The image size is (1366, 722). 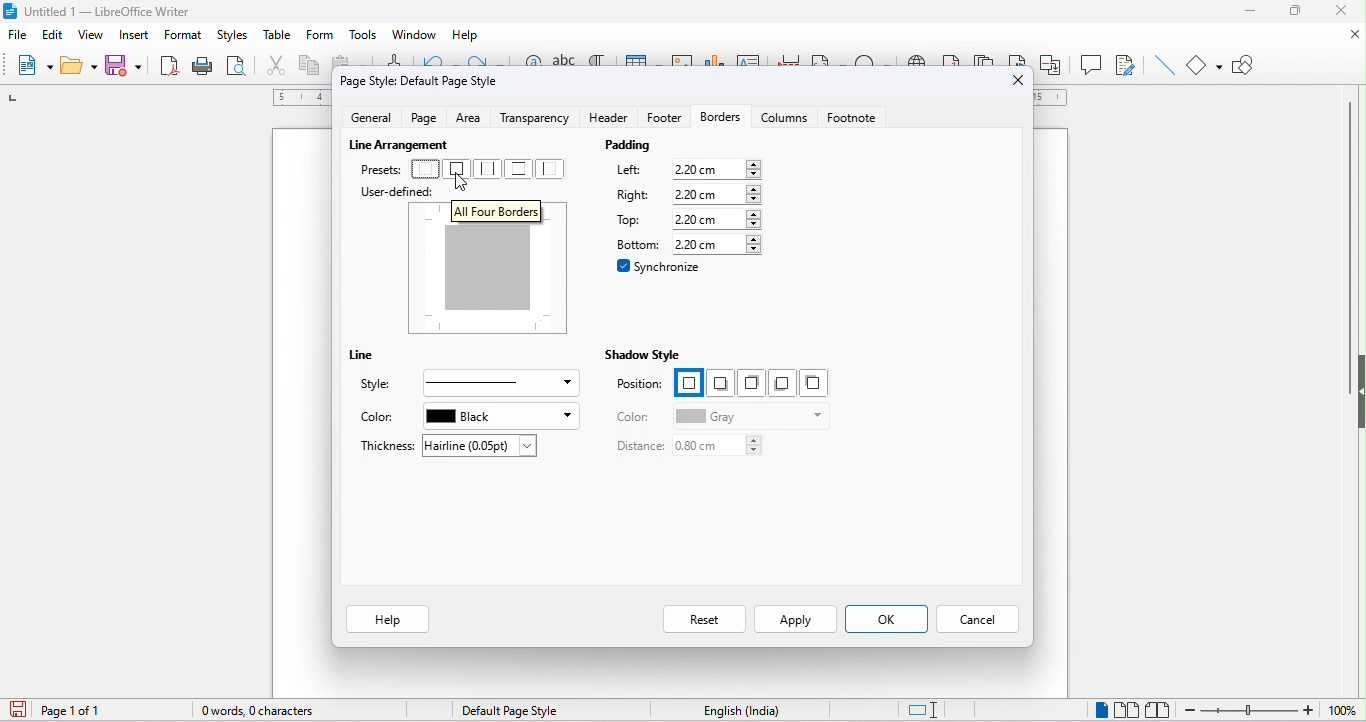 I want to click on general, so click(x=376, y=120).